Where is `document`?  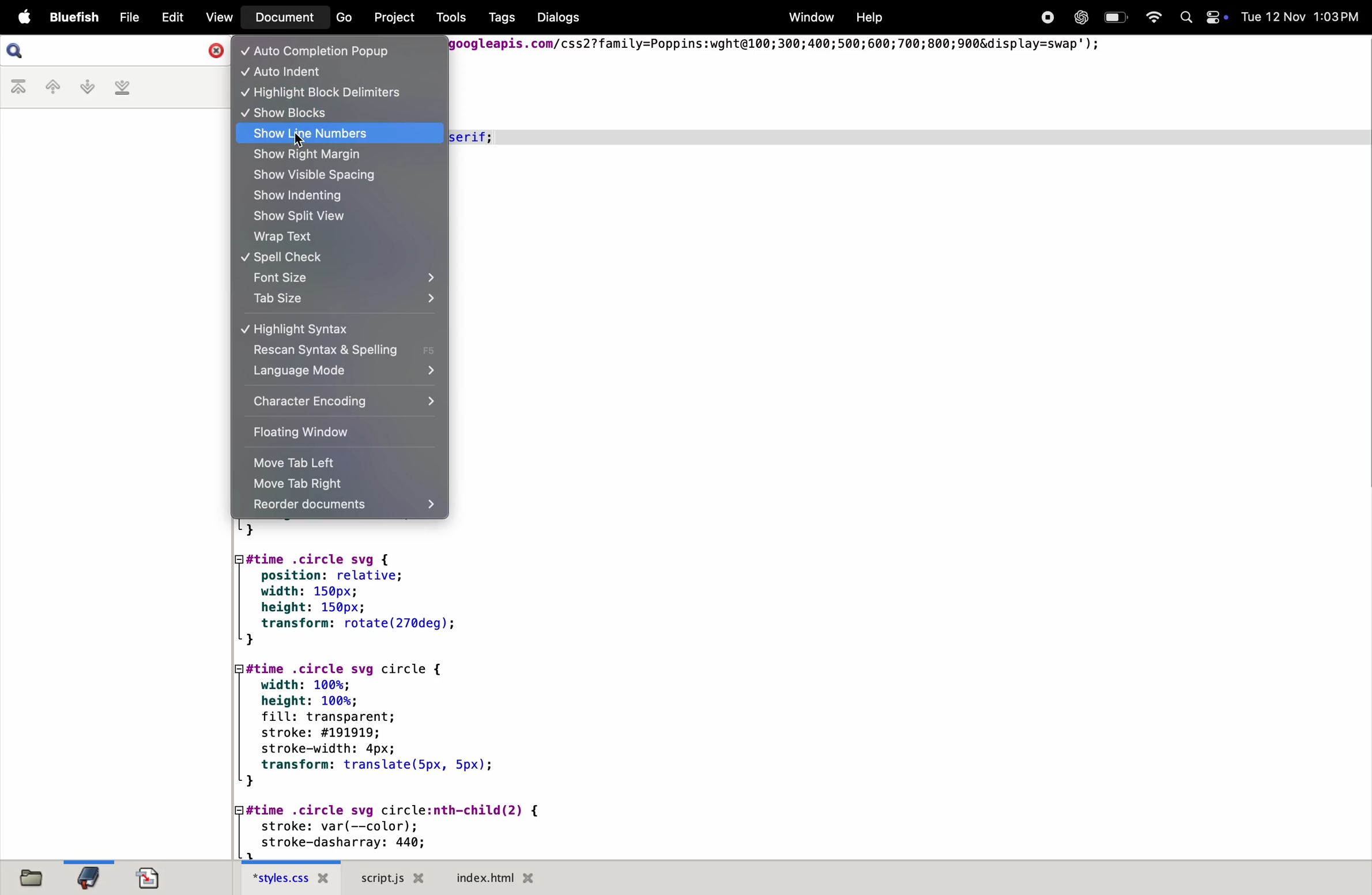 document is located at coordinates (156, 878).